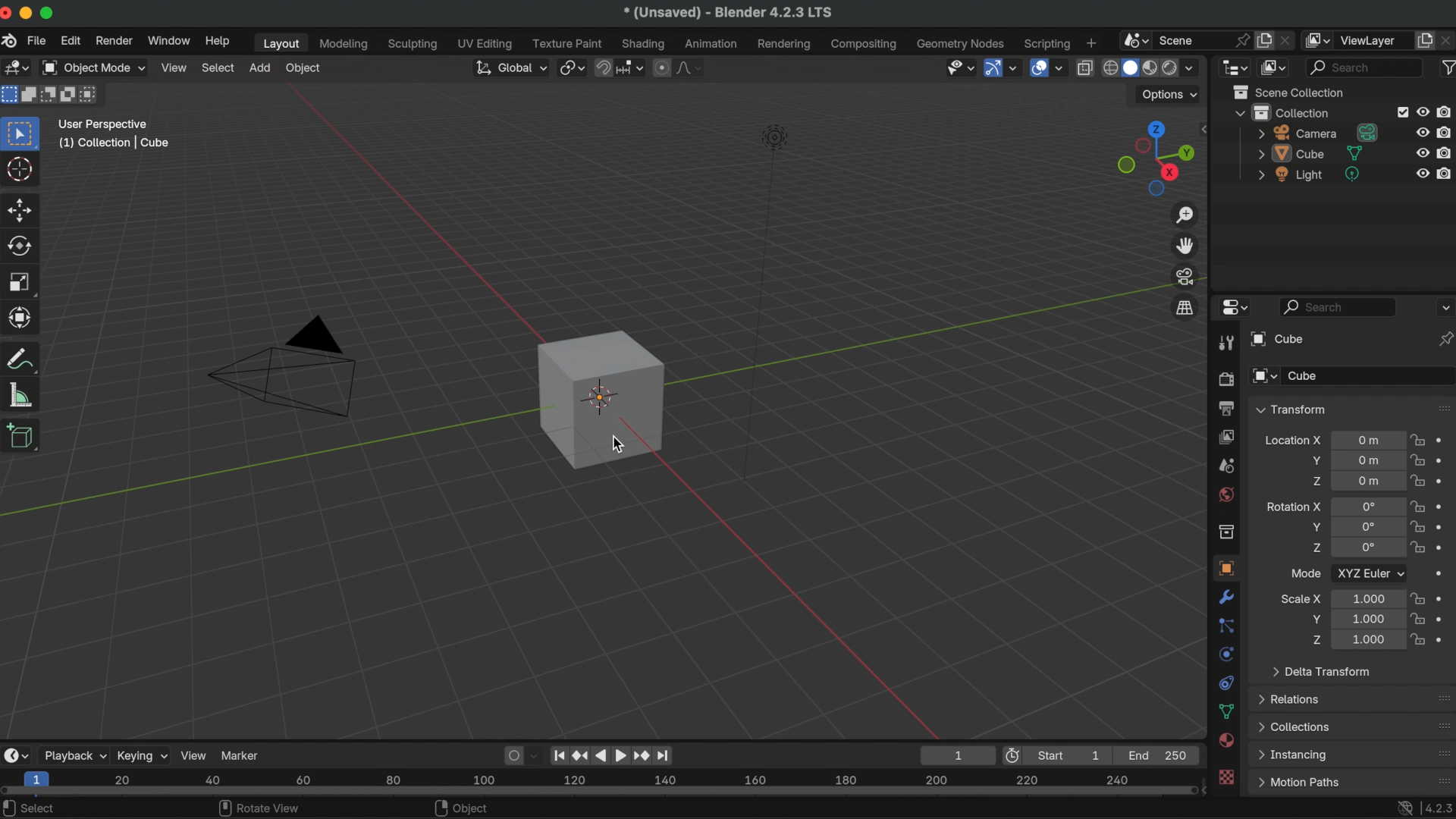 This screenshot has width=1456, height=819. Describe the element at coordinates (1421, 153) in the screenshot. I see `hide in viewport` at that location.